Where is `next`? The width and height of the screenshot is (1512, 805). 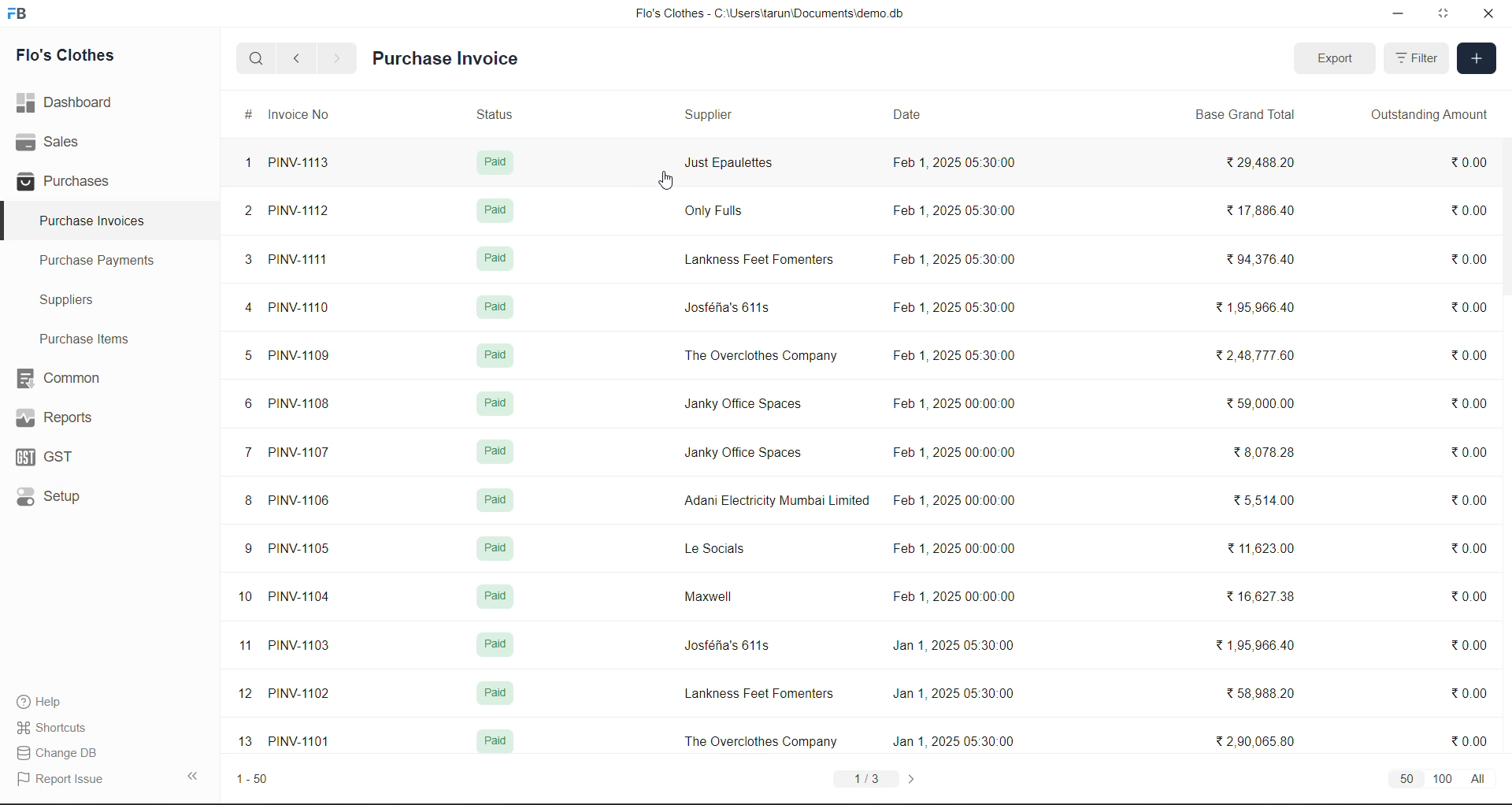 next is located at coordinates (919, 777).